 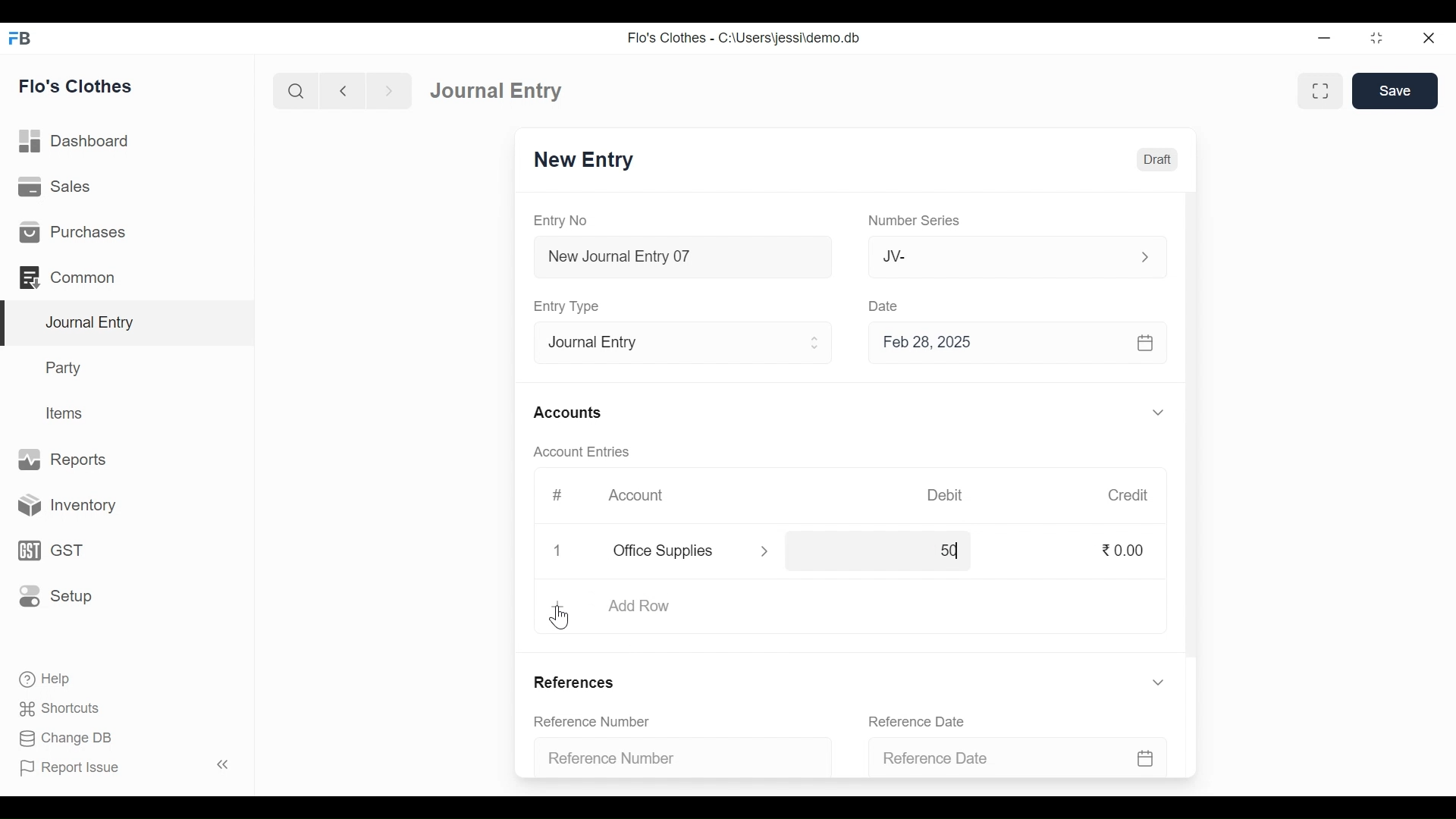 I want to click on Office Supplies, so click(x=674, y=551).